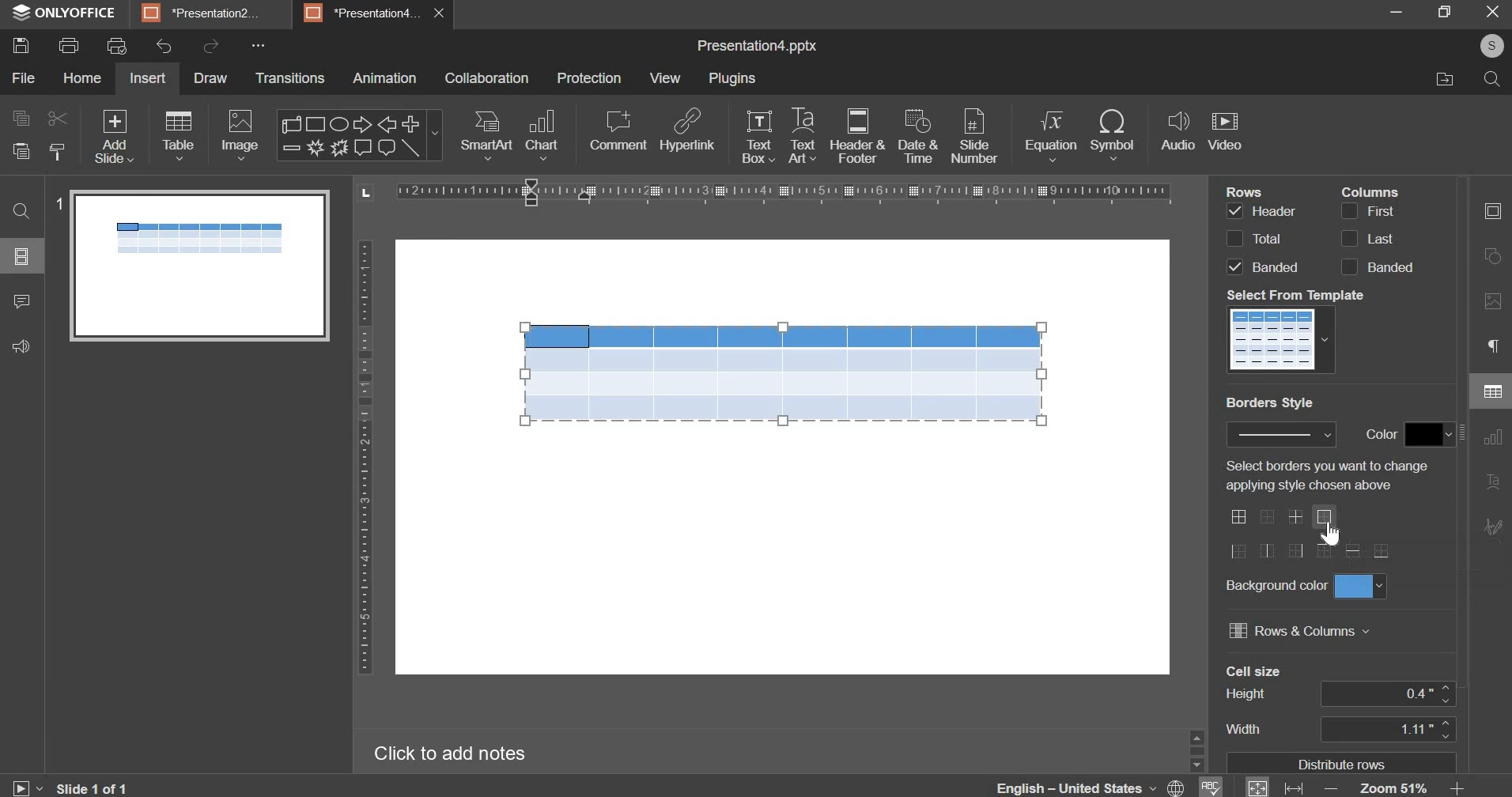  Describe the element at coordinates (802, 134) in the screenshot. I see `text art` at that location.